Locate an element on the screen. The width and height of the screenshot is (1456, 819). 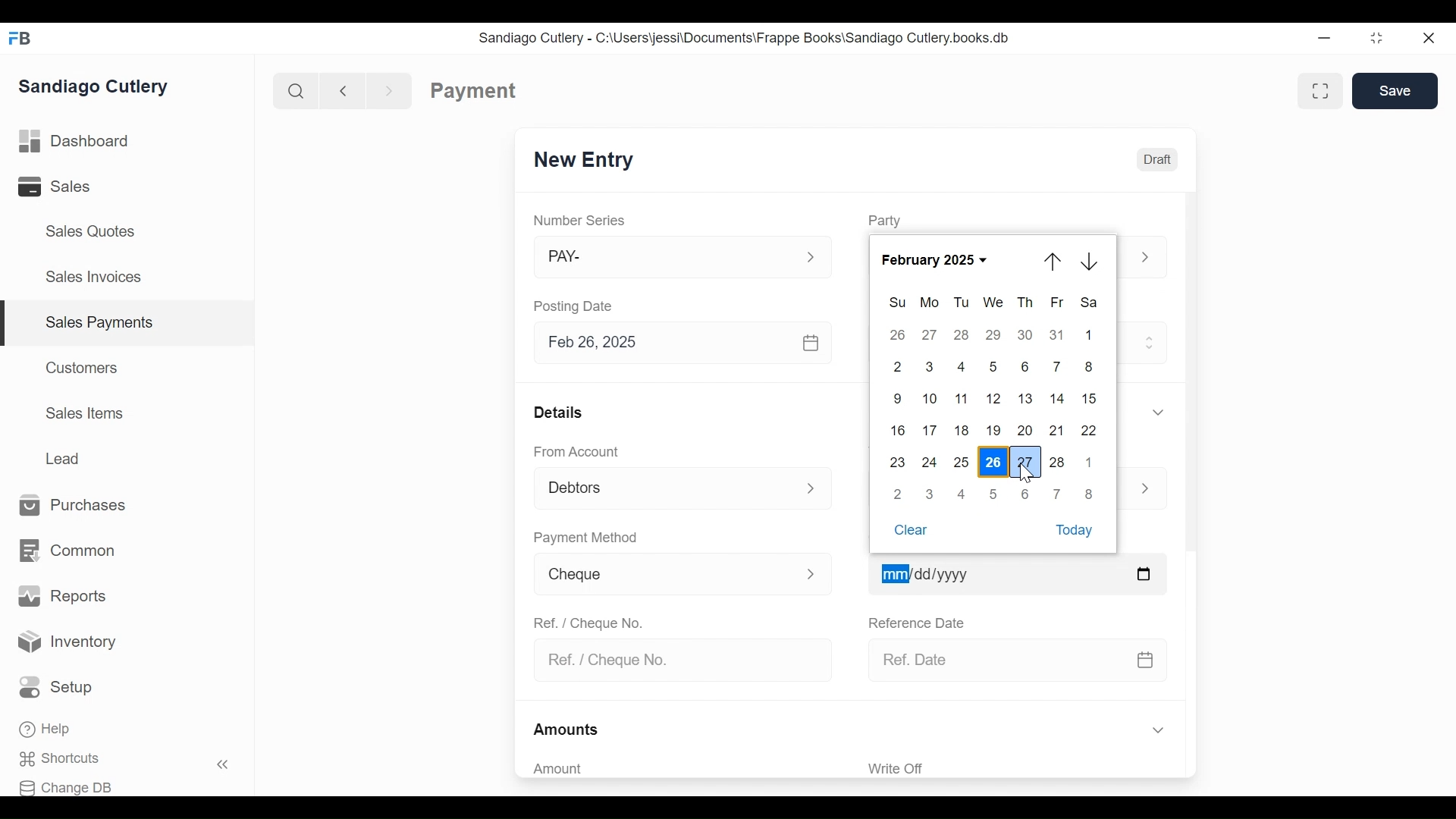
Minimize is located at coordinates (1324, 39).